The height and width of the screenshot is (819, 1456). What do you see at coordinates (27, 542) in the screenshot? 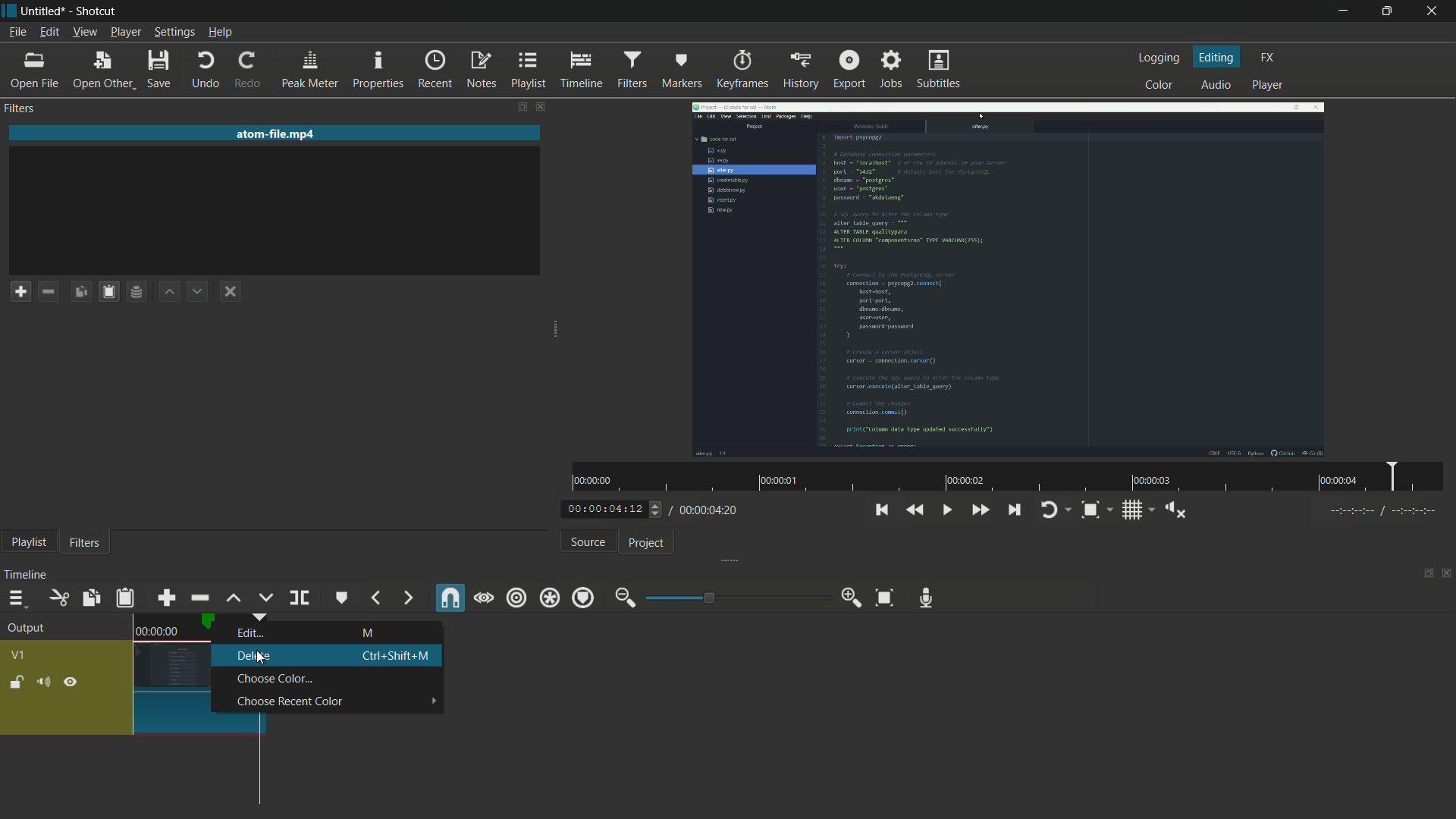
I see `playlist` at bounding box center [27, 542].